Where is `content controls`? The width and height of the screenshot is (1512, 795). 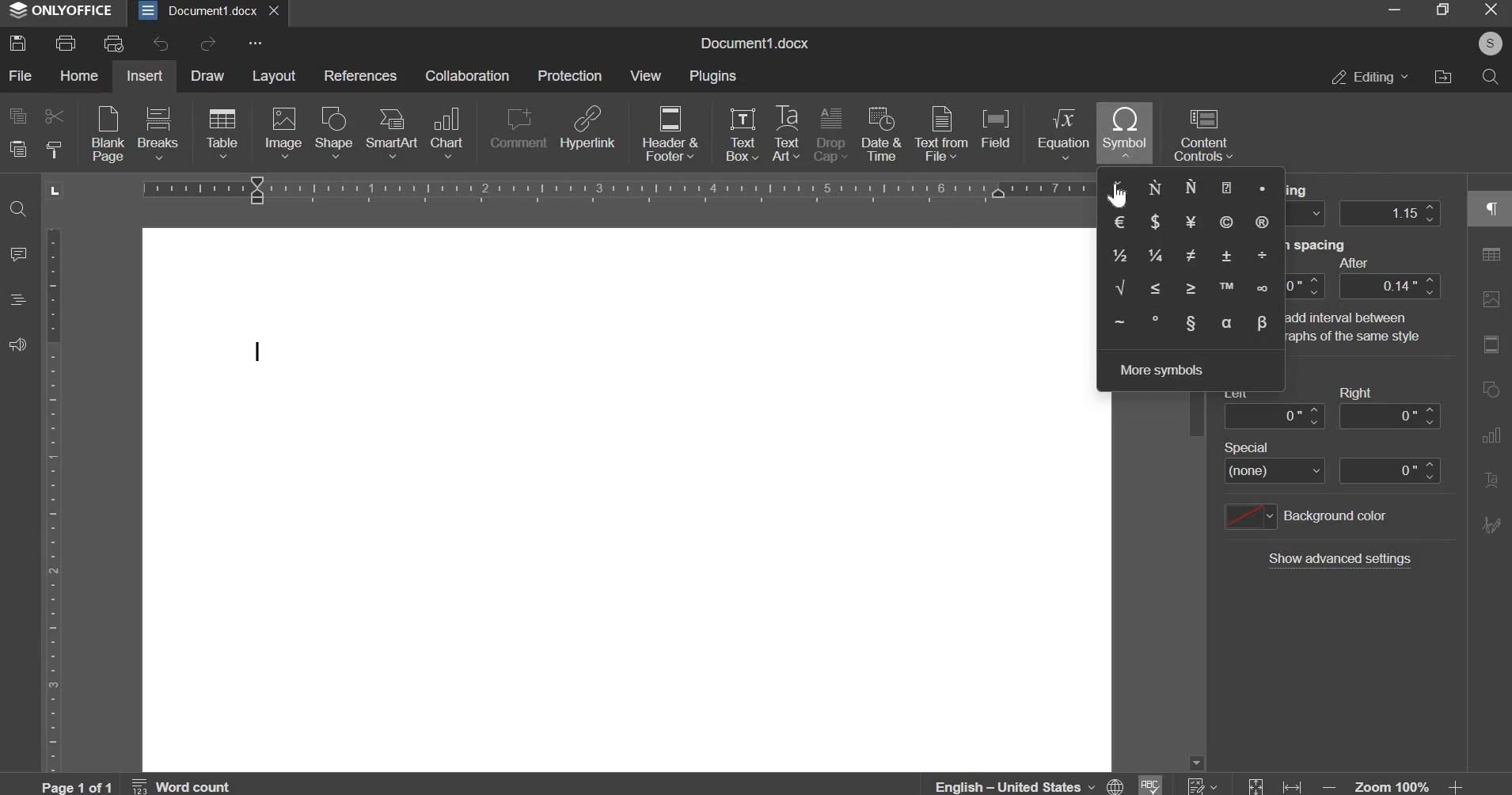 content controls is located at coordinates (1203, 134).